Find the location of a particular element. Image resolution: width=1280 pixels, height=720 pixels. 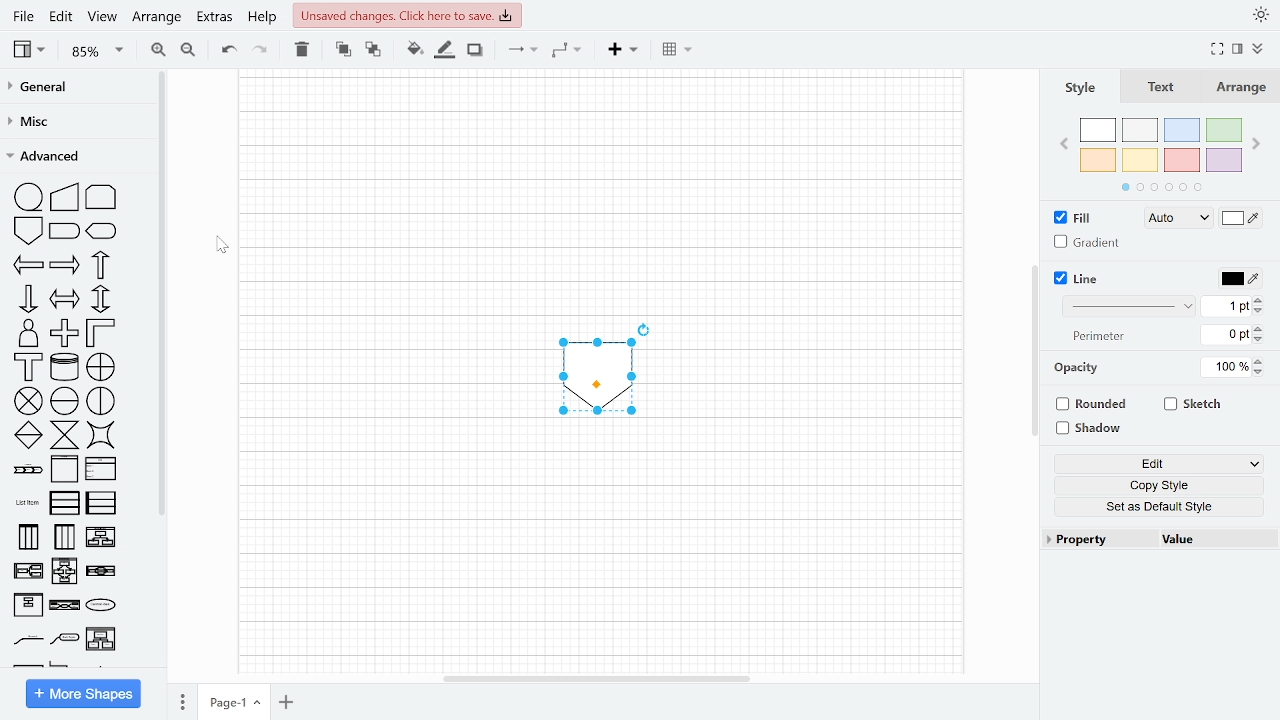

Fill is located at coordinates (1072, 218).